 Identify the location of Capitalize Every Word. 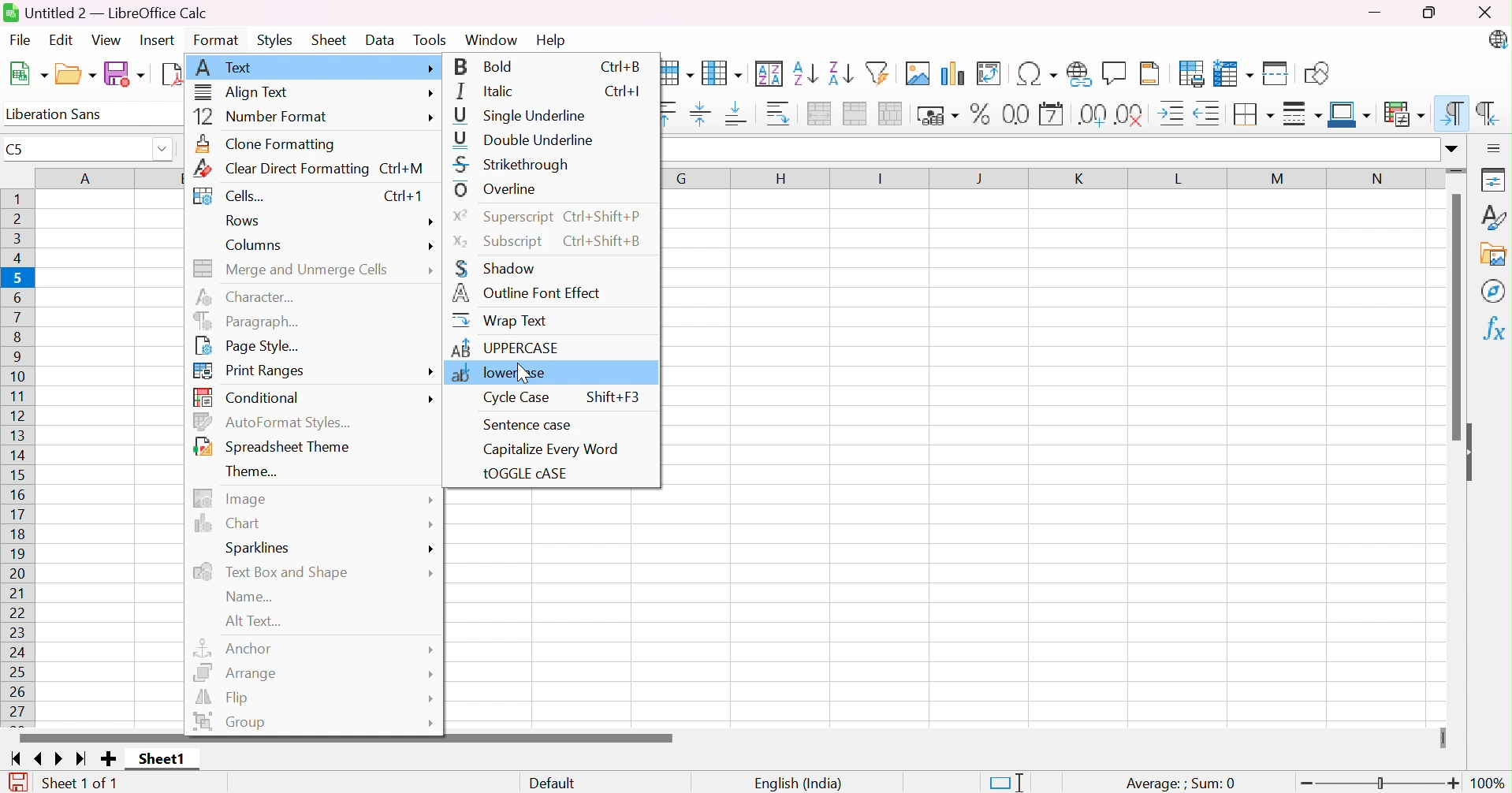
(552, 449).